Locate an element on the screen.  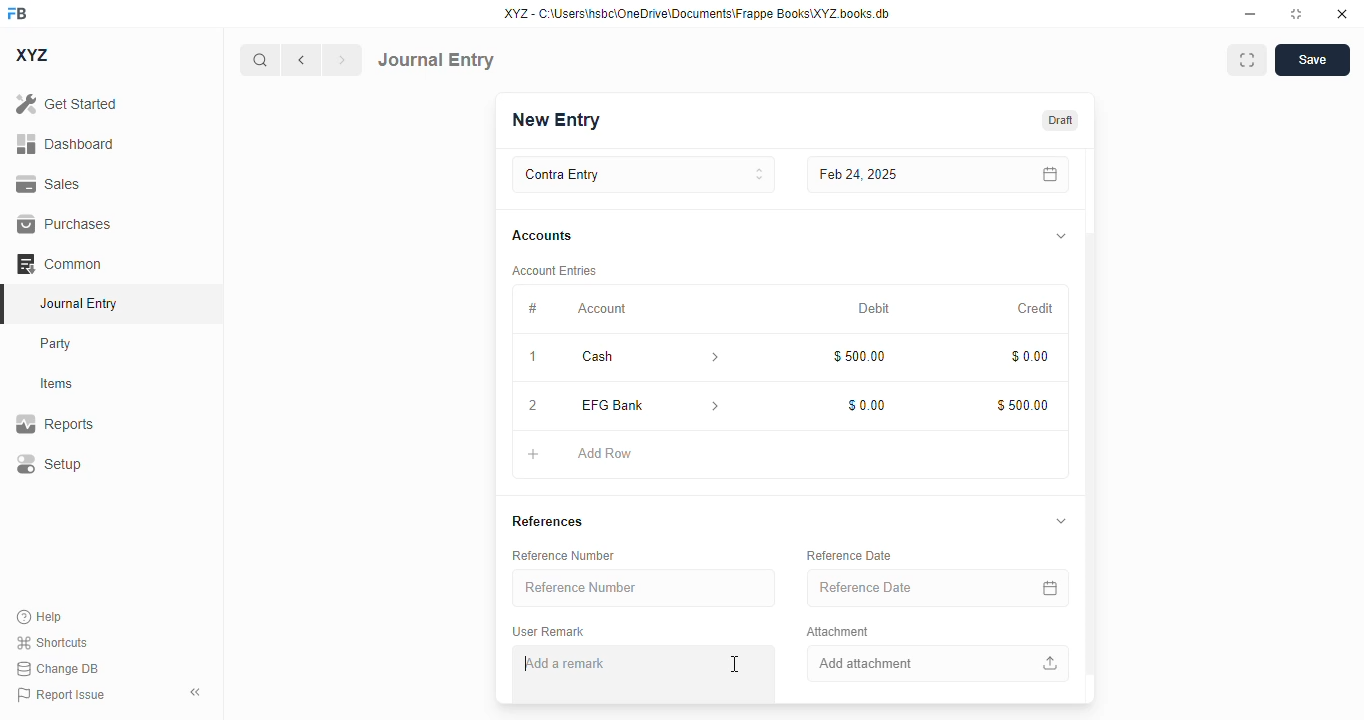
search is located at coordinates (259, 60).